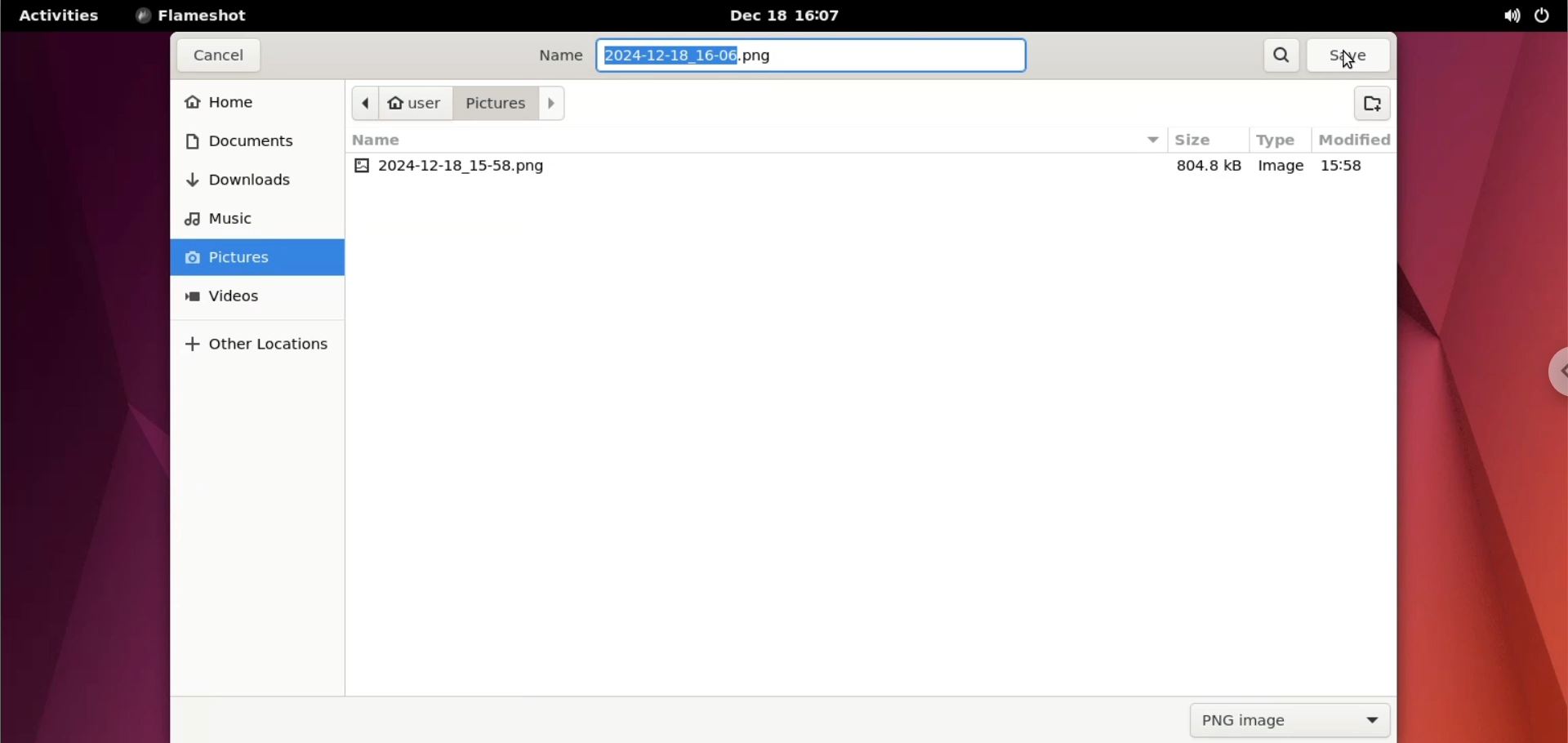 Image resolution: width=1568 pixels, height=743 pixels. I want to click on move previous, so click(365, 104).